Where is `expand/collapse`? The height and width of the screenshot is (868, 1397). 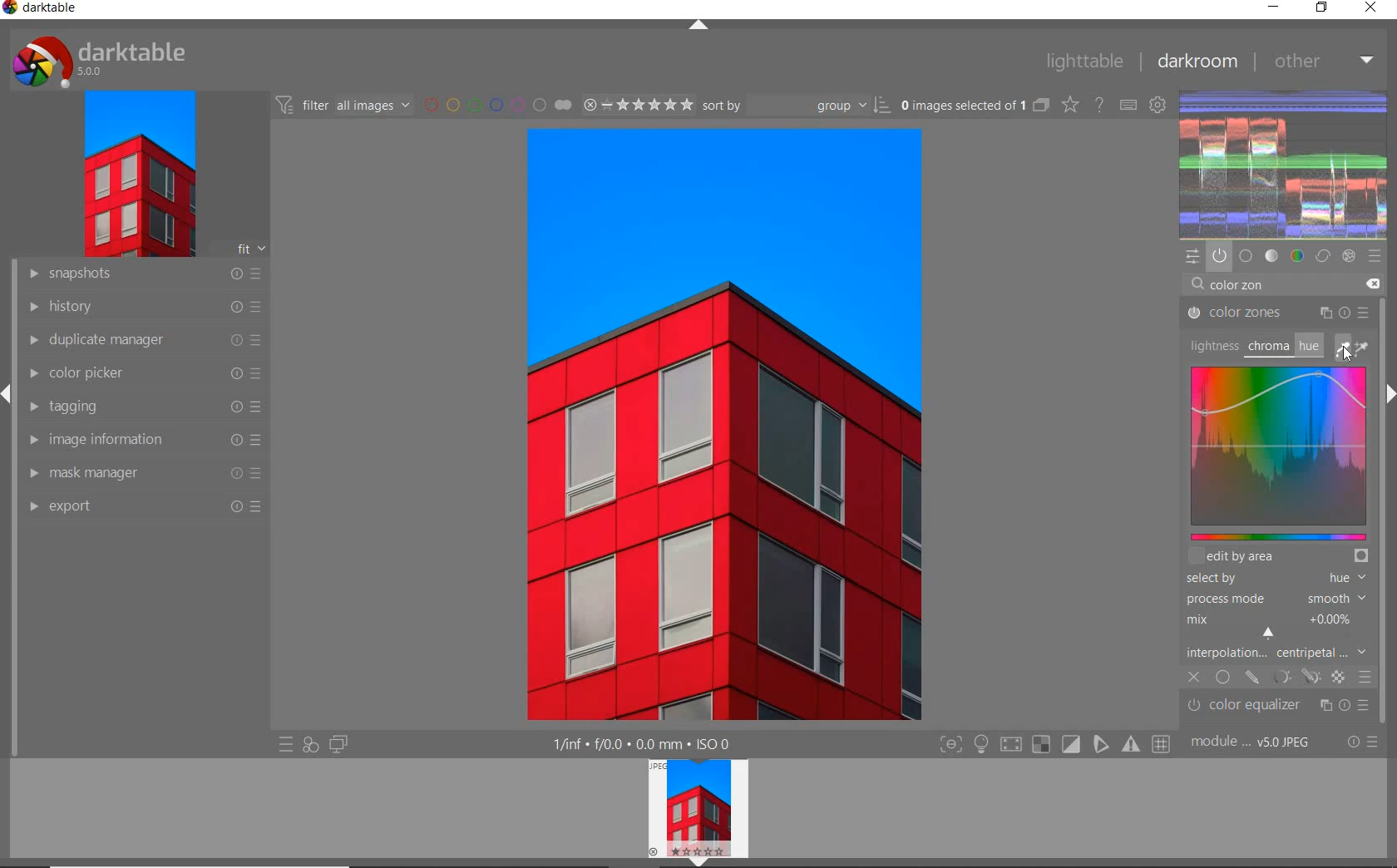 expand/collapse is located at coordinates (699, 26).